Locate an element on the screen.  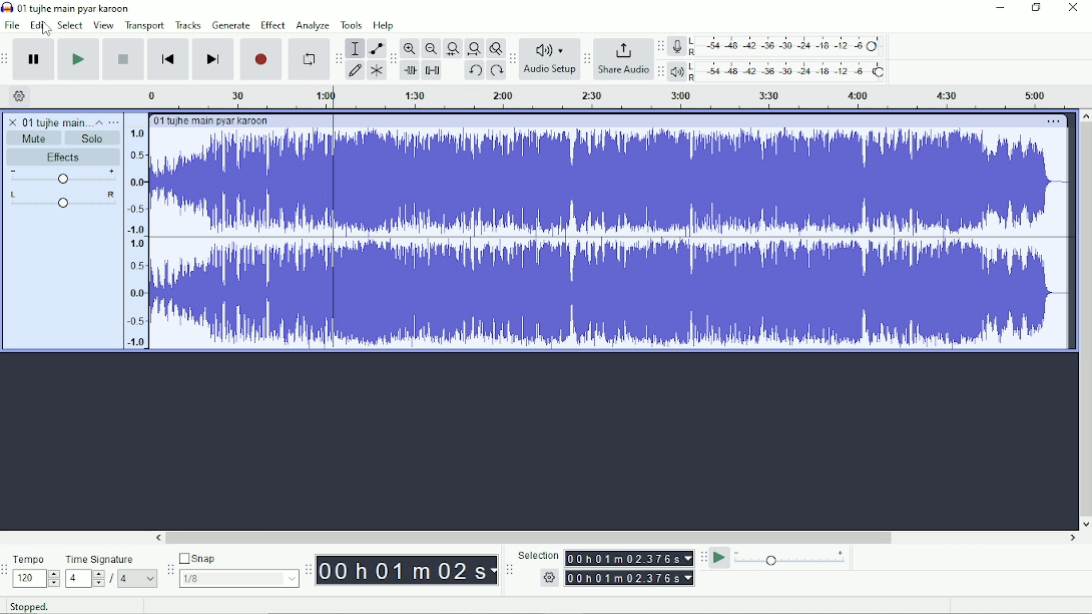
Zoom Out is located at coordinates (430, 48).